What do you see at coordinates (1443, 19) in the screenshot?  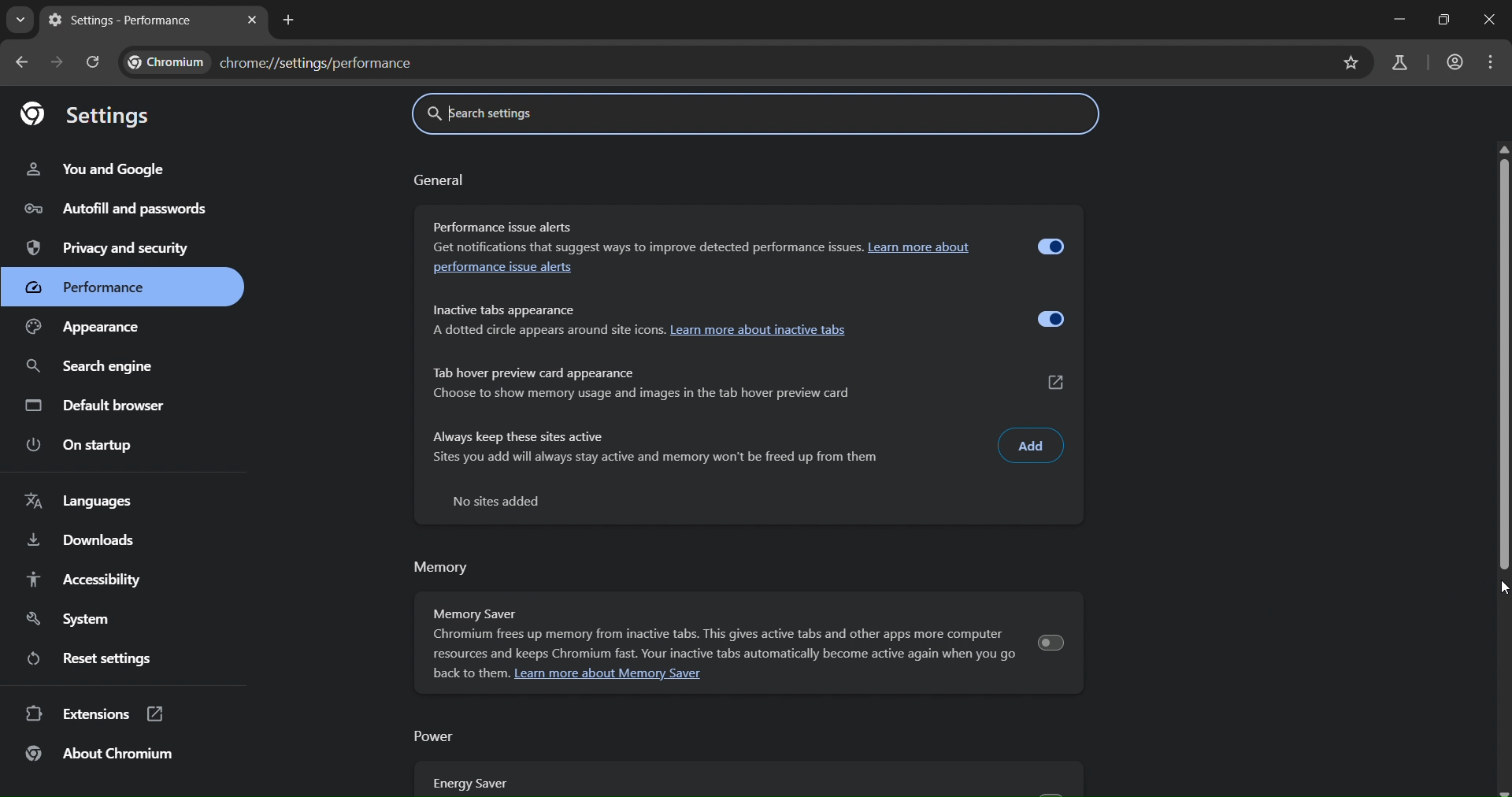 I see `restore down` at bounding box center [1443, 19].